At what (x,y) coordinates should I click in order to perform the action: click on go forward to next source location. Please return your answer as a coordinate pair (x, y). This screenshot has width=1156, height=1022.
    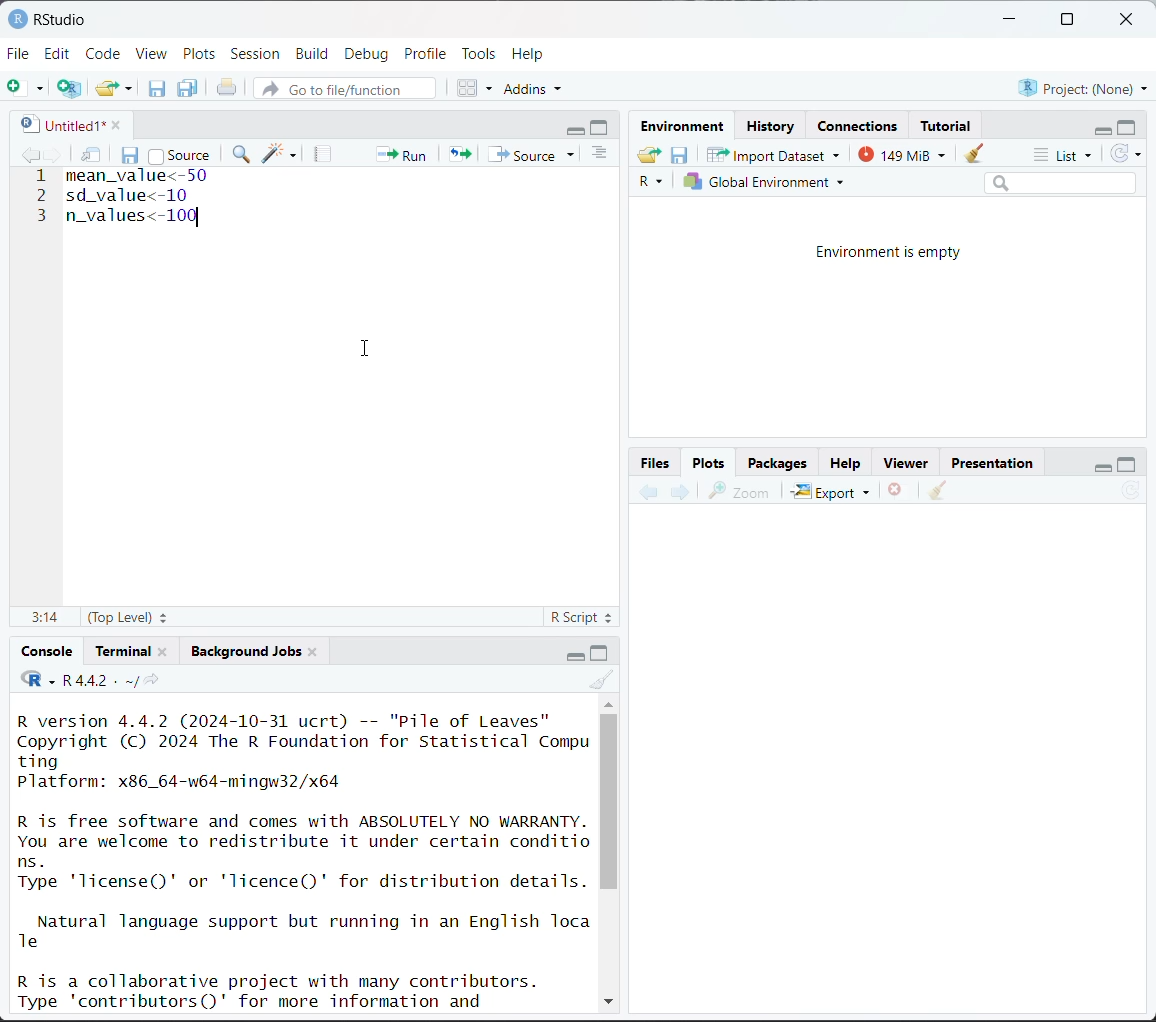
    Looking at the image, I should click on (54, 156).